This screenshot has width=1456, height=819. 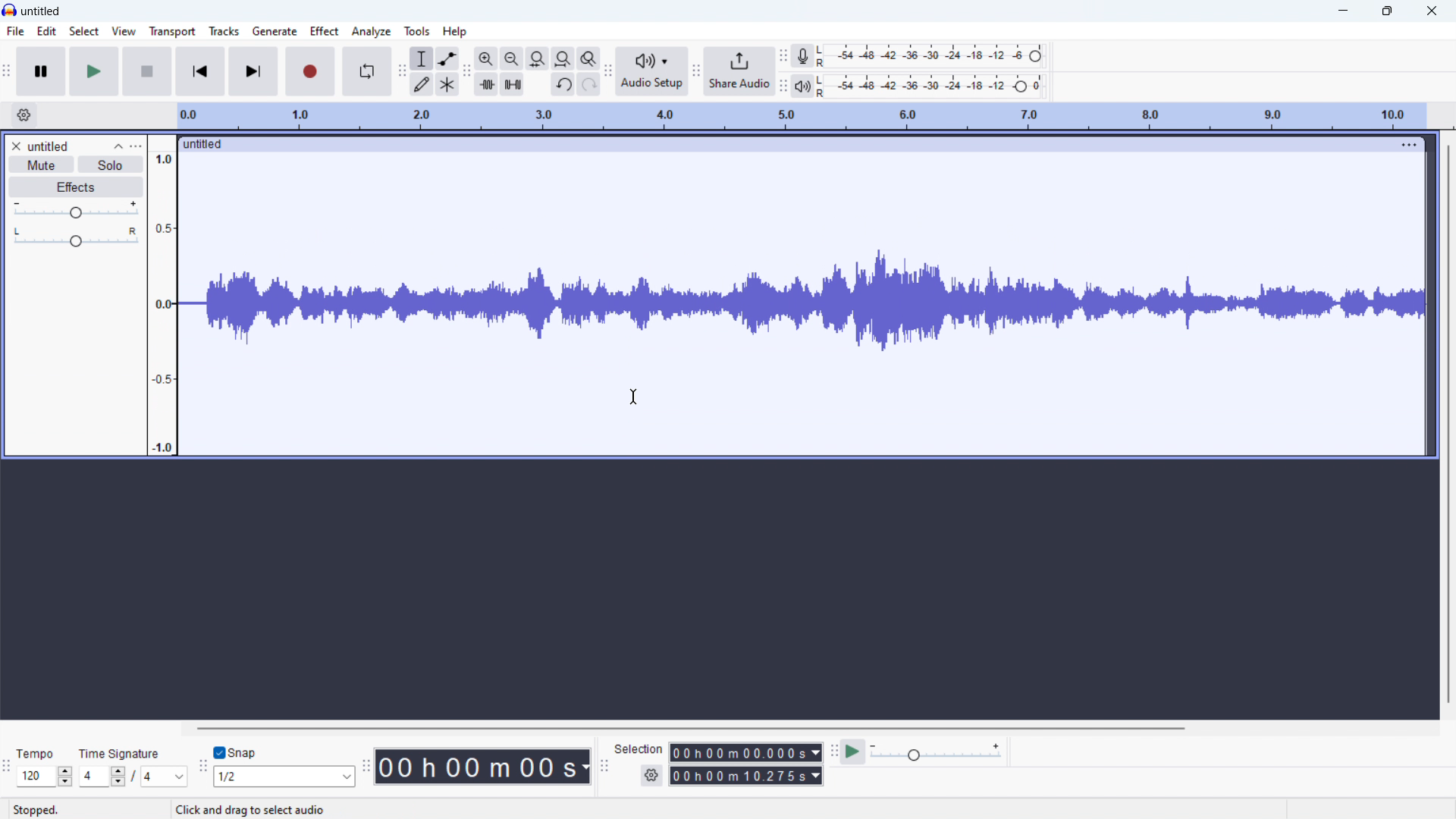 I want to click on set snapping, so click(x=285, y=777).